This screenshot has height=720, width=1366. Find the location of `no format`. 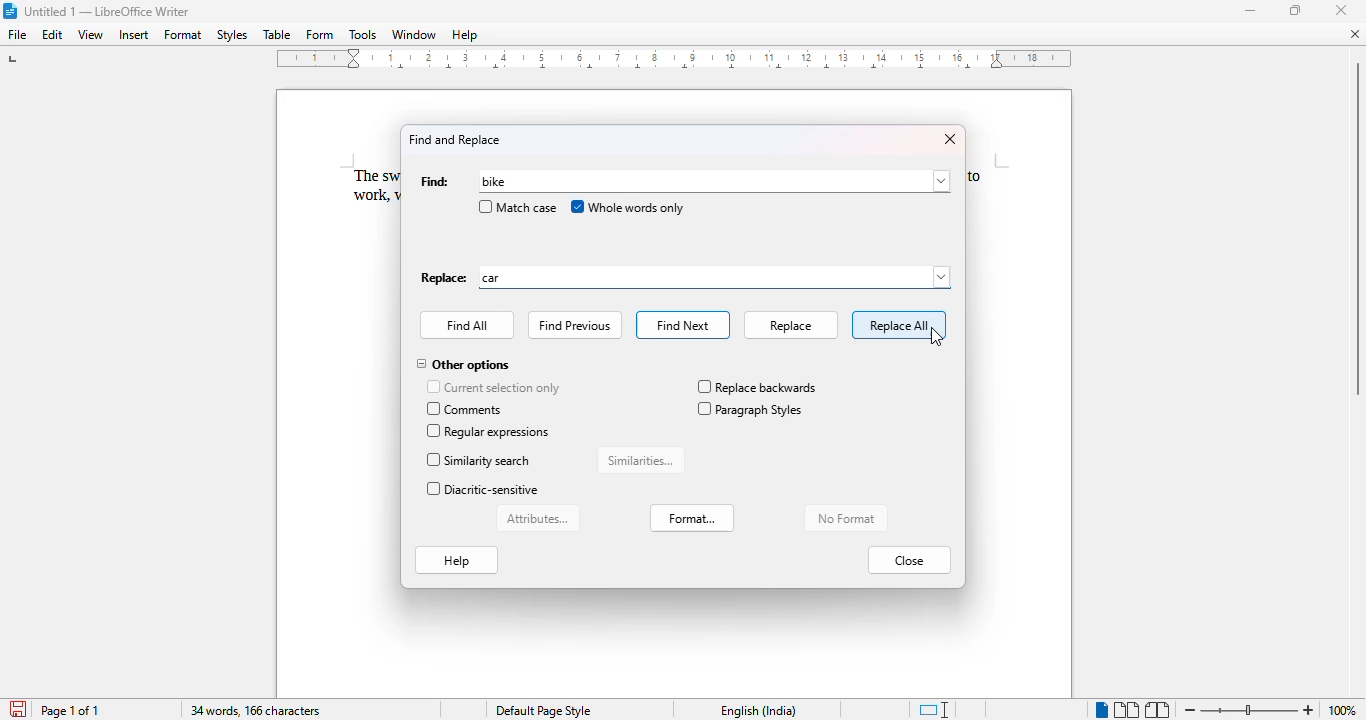

no format is located at coordinates (844, 517).